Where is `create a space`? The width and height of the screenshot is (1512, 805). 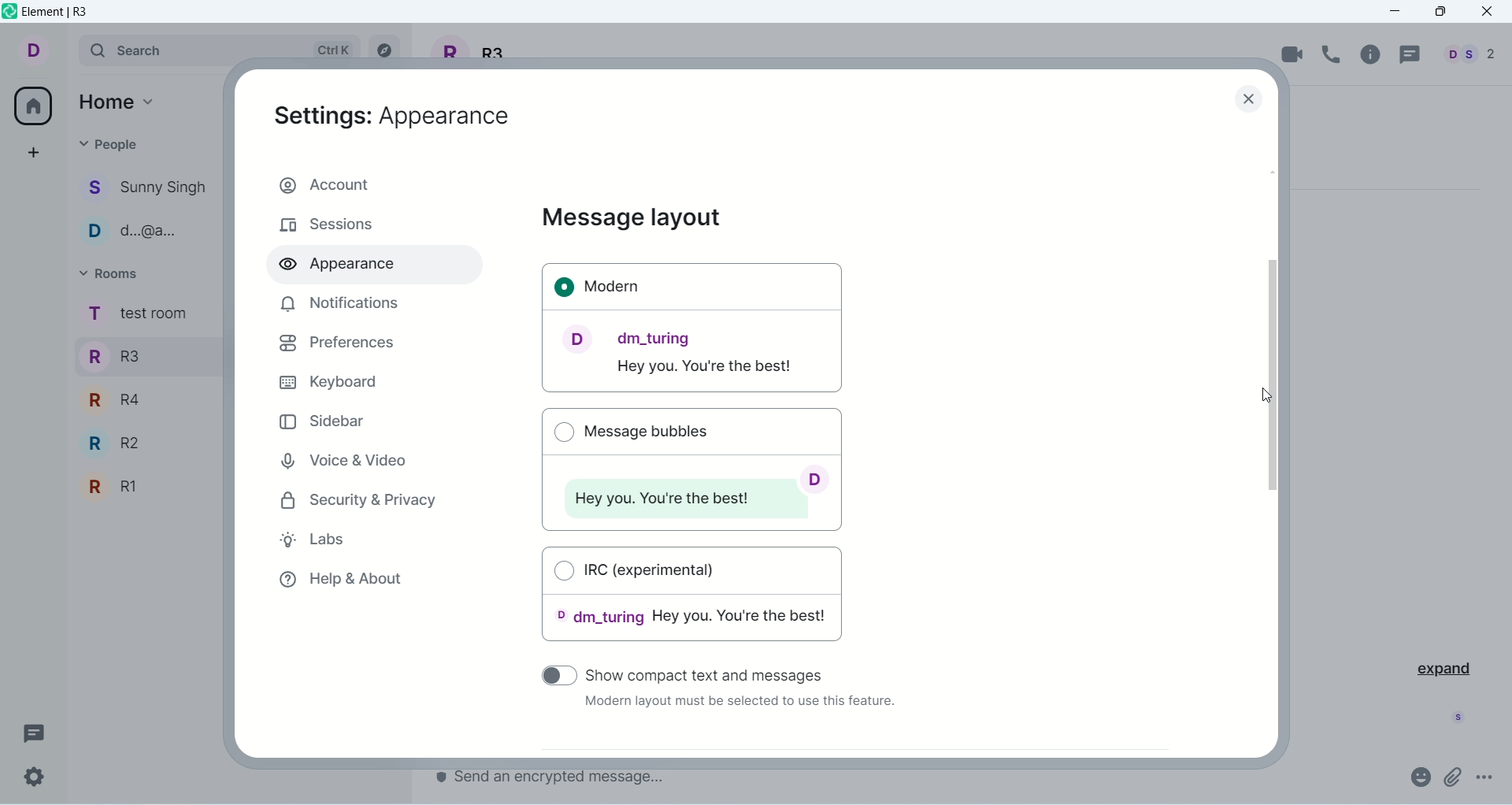 create a space is located at coordinates (34, 152).